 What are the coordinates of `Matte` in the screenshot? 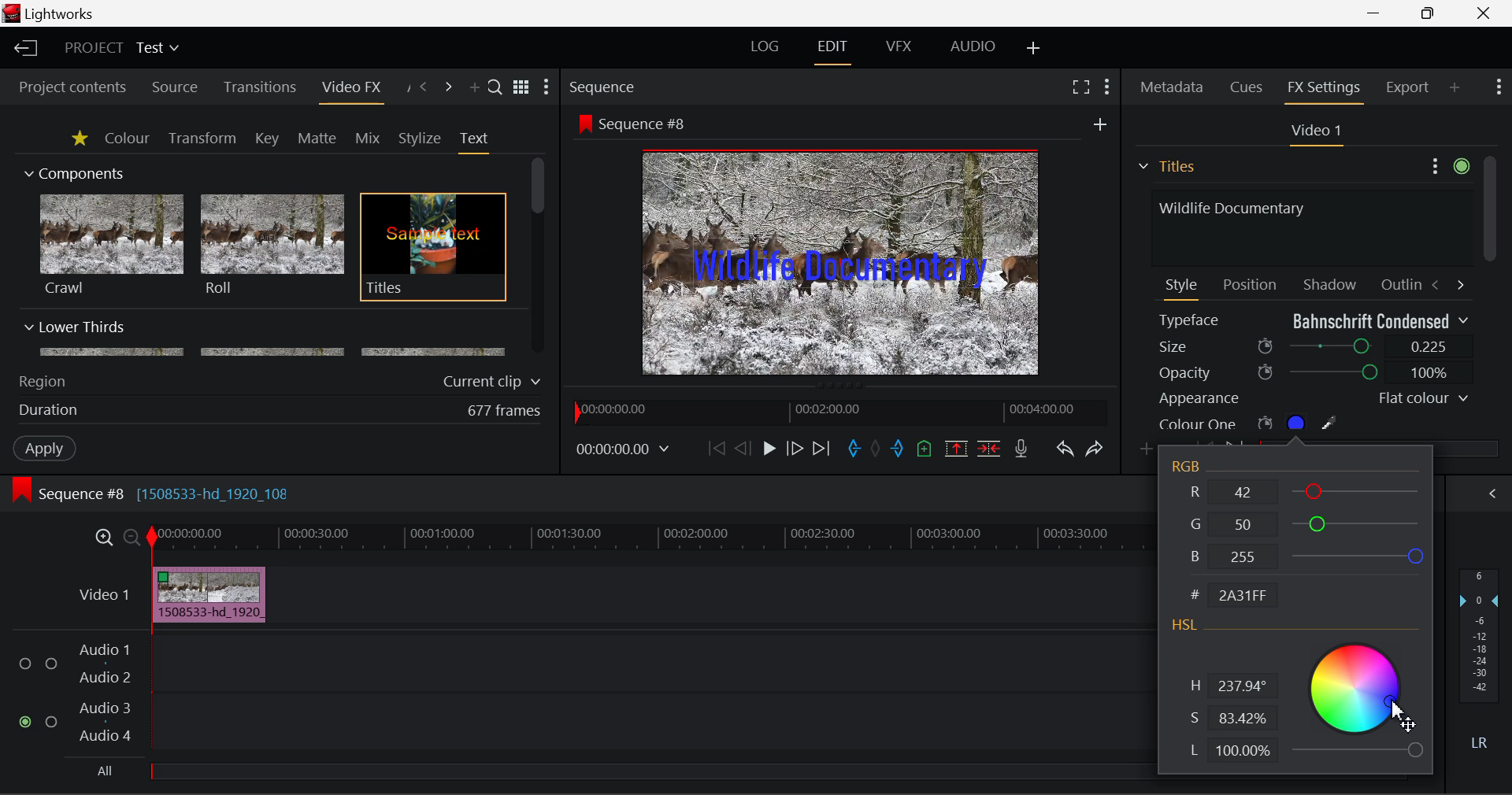 It's located at (316, 138).